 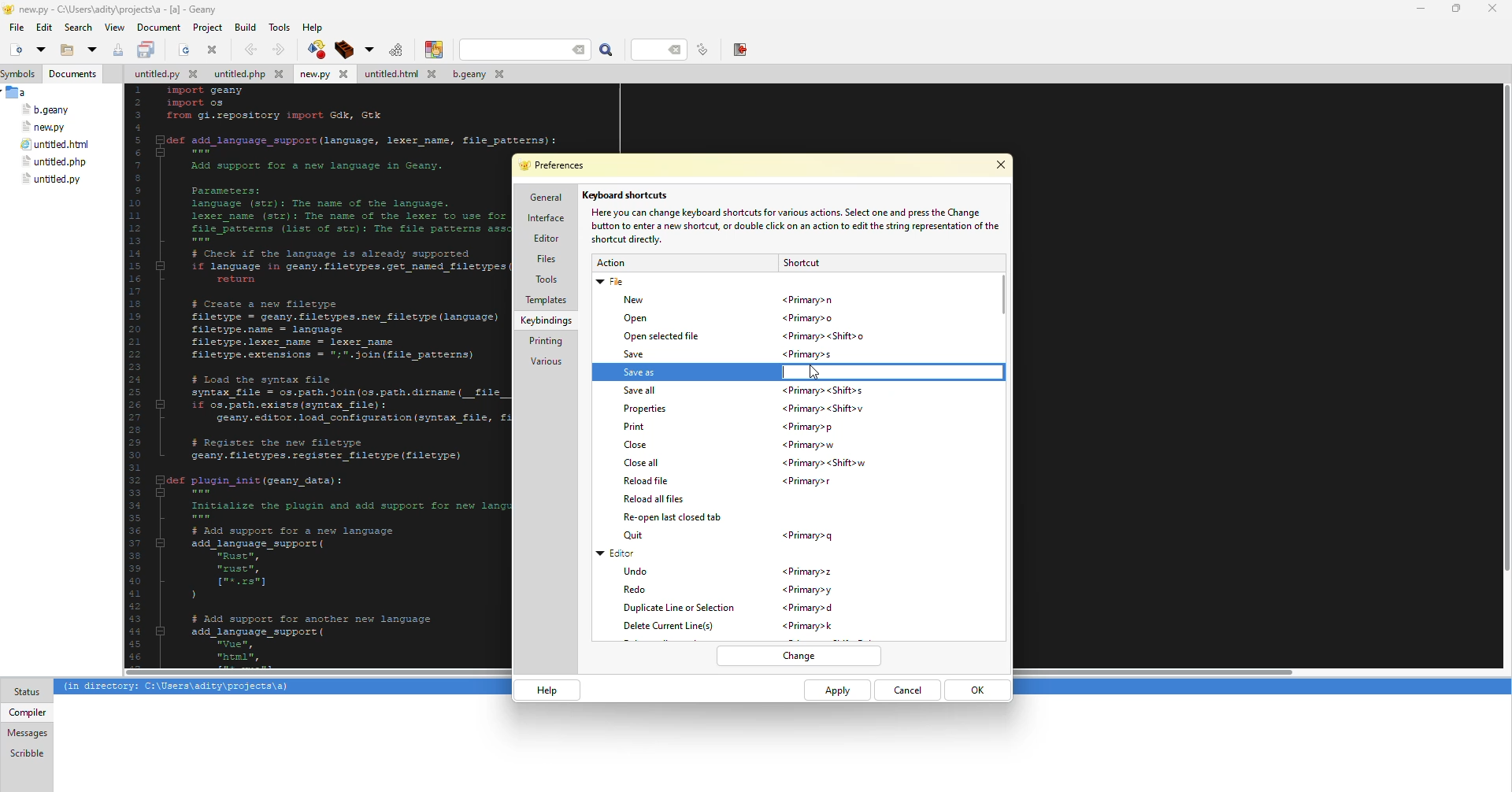 What do you see at coordinates (805, 608) in the screenshot?
I see `shortcut` at bounding box center [805, 608].